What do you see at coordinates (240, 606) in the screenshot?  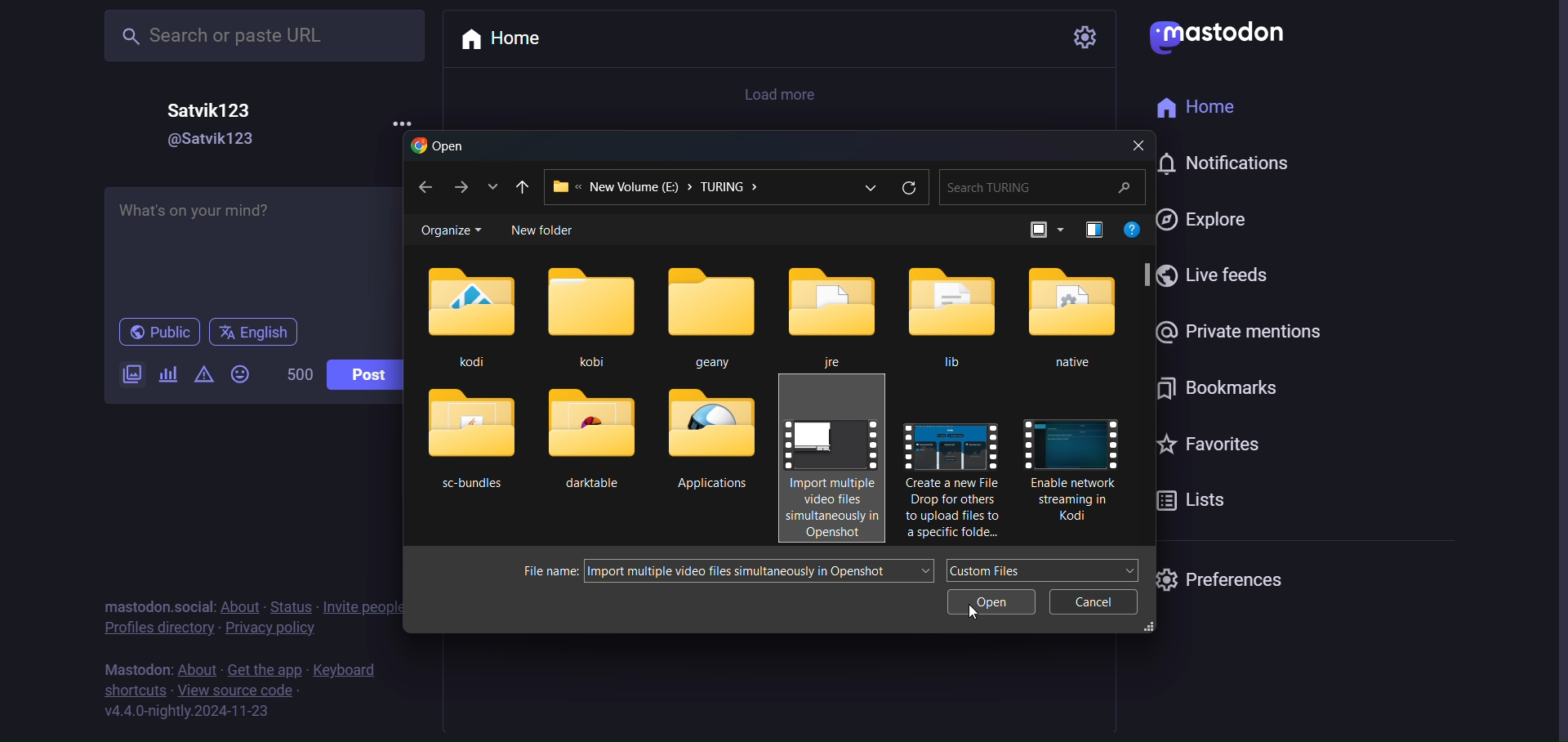 I see `about` at bounding box center [240, 606].